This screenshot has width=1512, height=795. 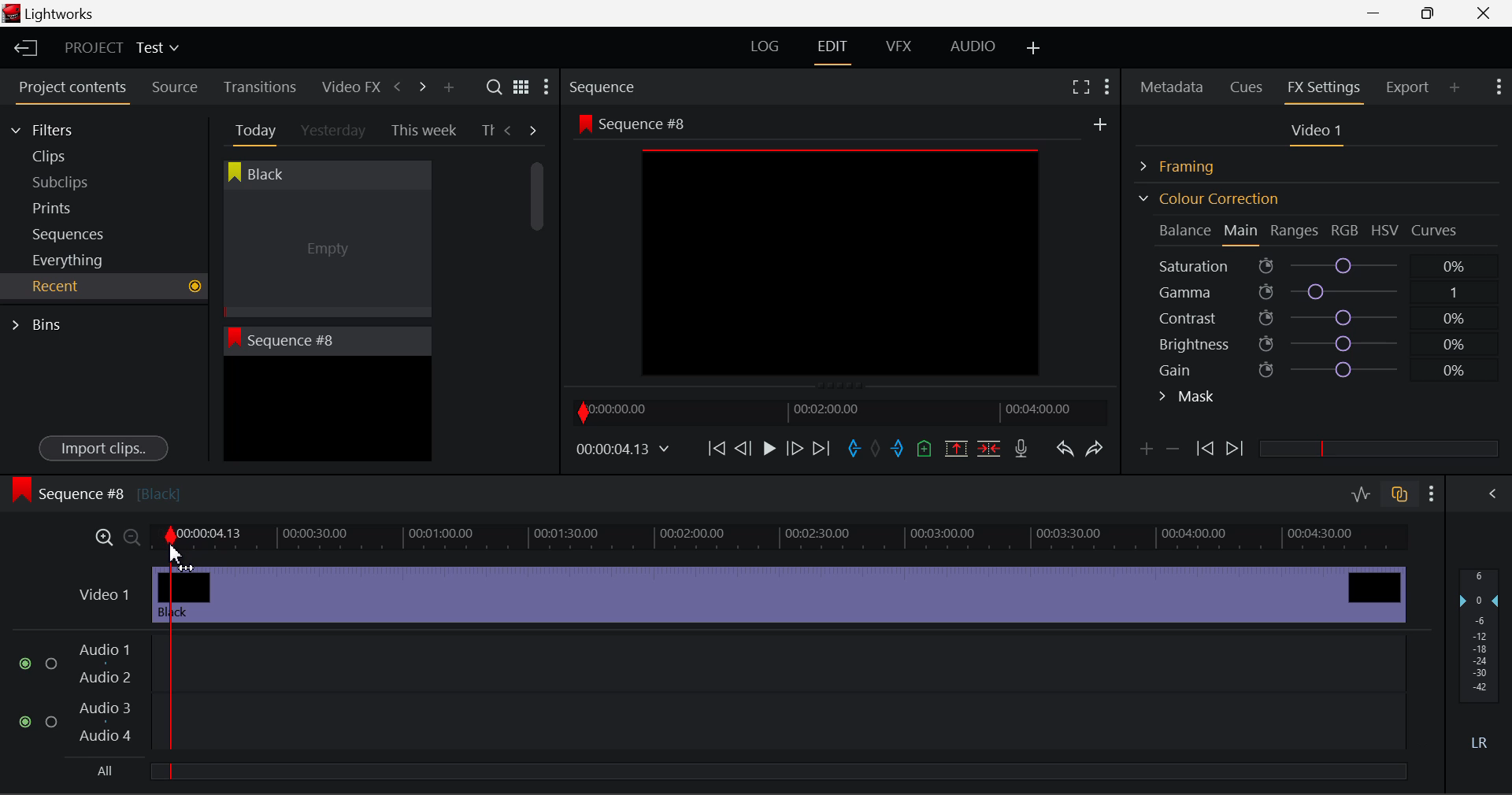 I want to click on DRAG_TO Cursor Position, so click(x=179, y=556).